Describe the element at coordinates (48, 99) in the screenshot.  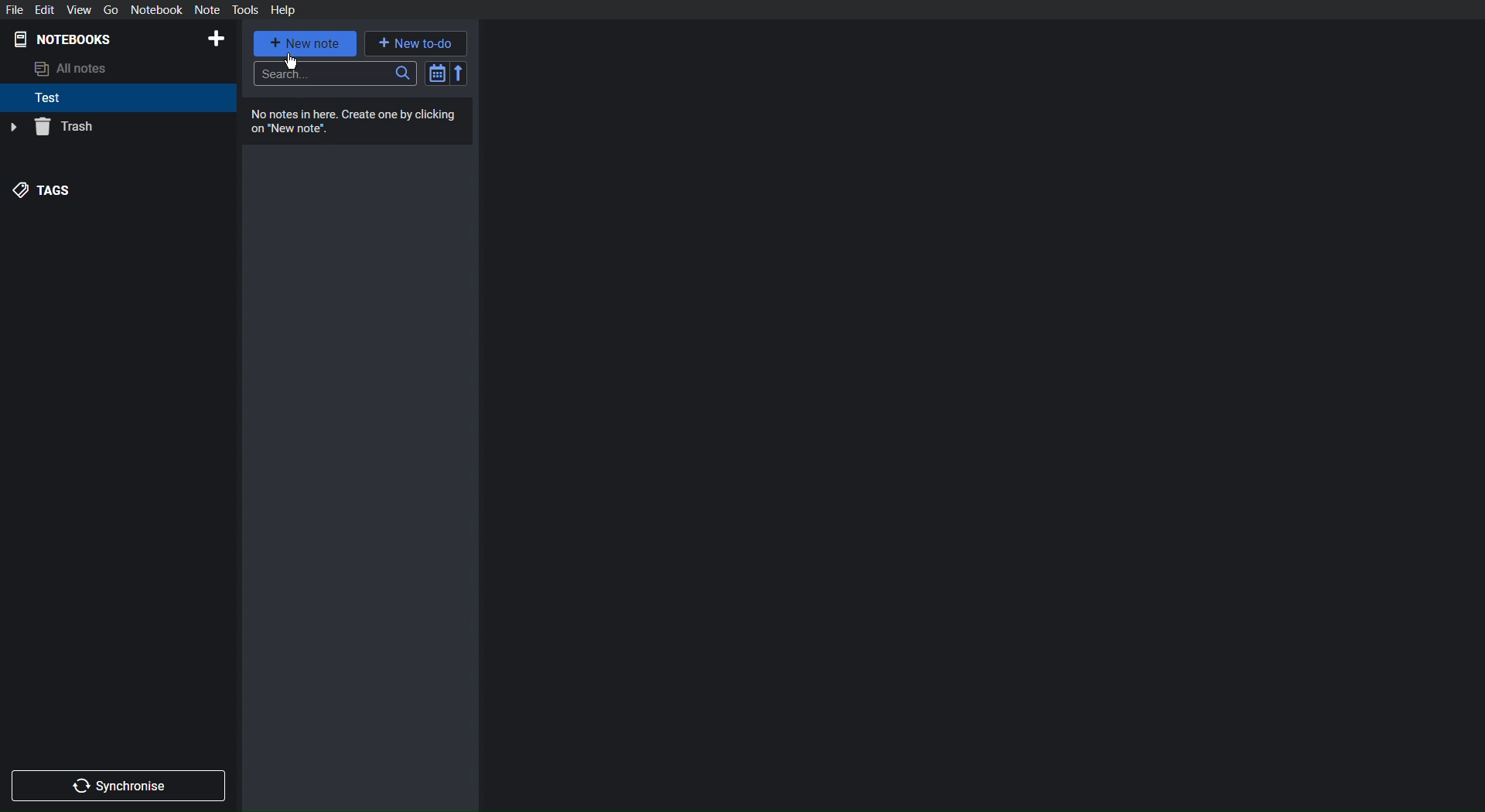
I see `Test` at that location.